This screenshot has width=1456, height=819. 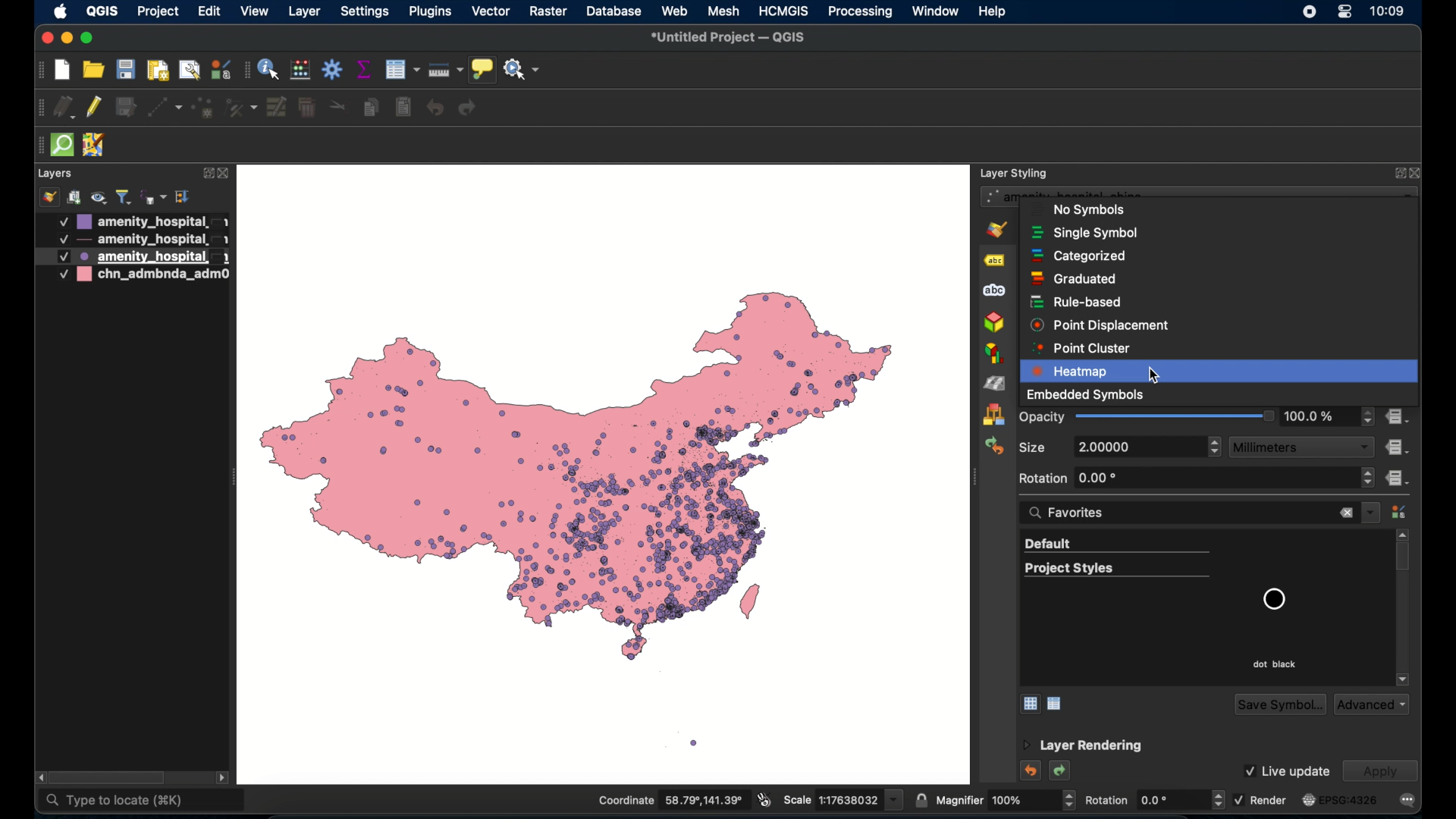 I want to click on web, so click(x=676, y=11).